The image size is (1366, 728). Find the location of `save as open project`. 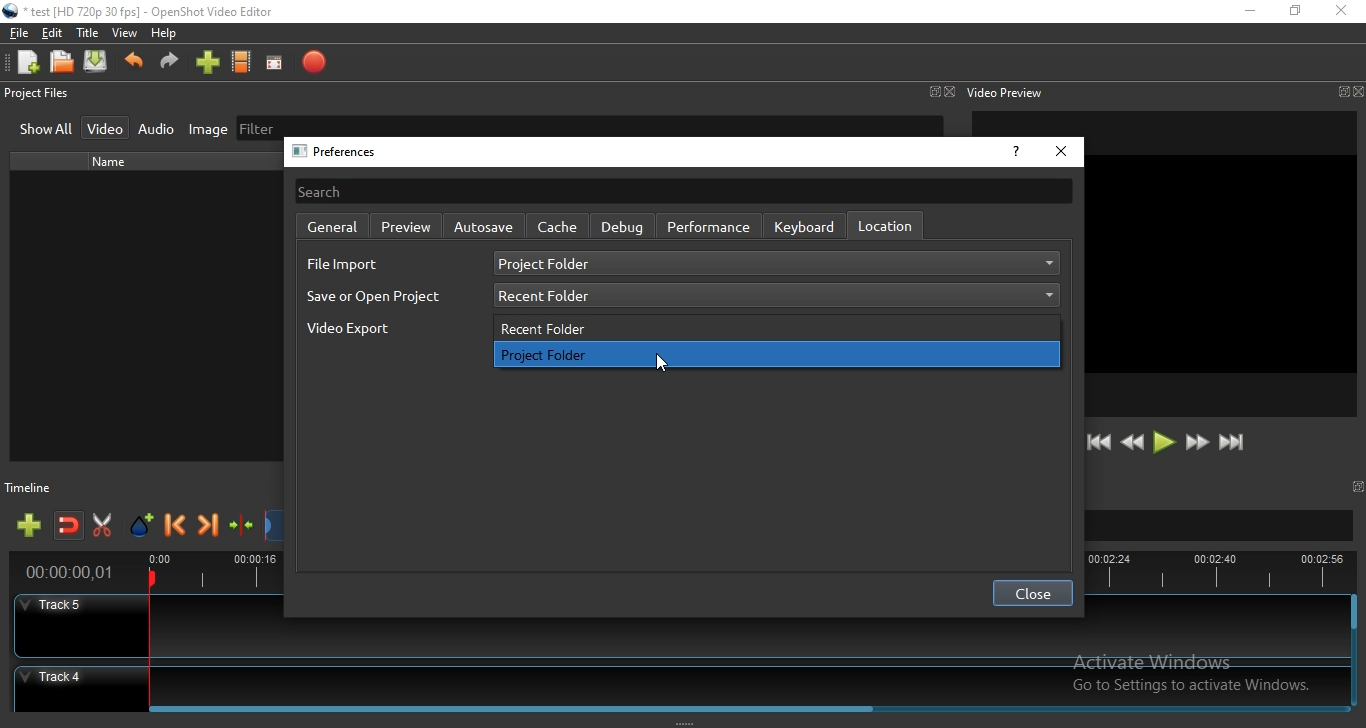

save as open project is located at coordinates (374, 296).